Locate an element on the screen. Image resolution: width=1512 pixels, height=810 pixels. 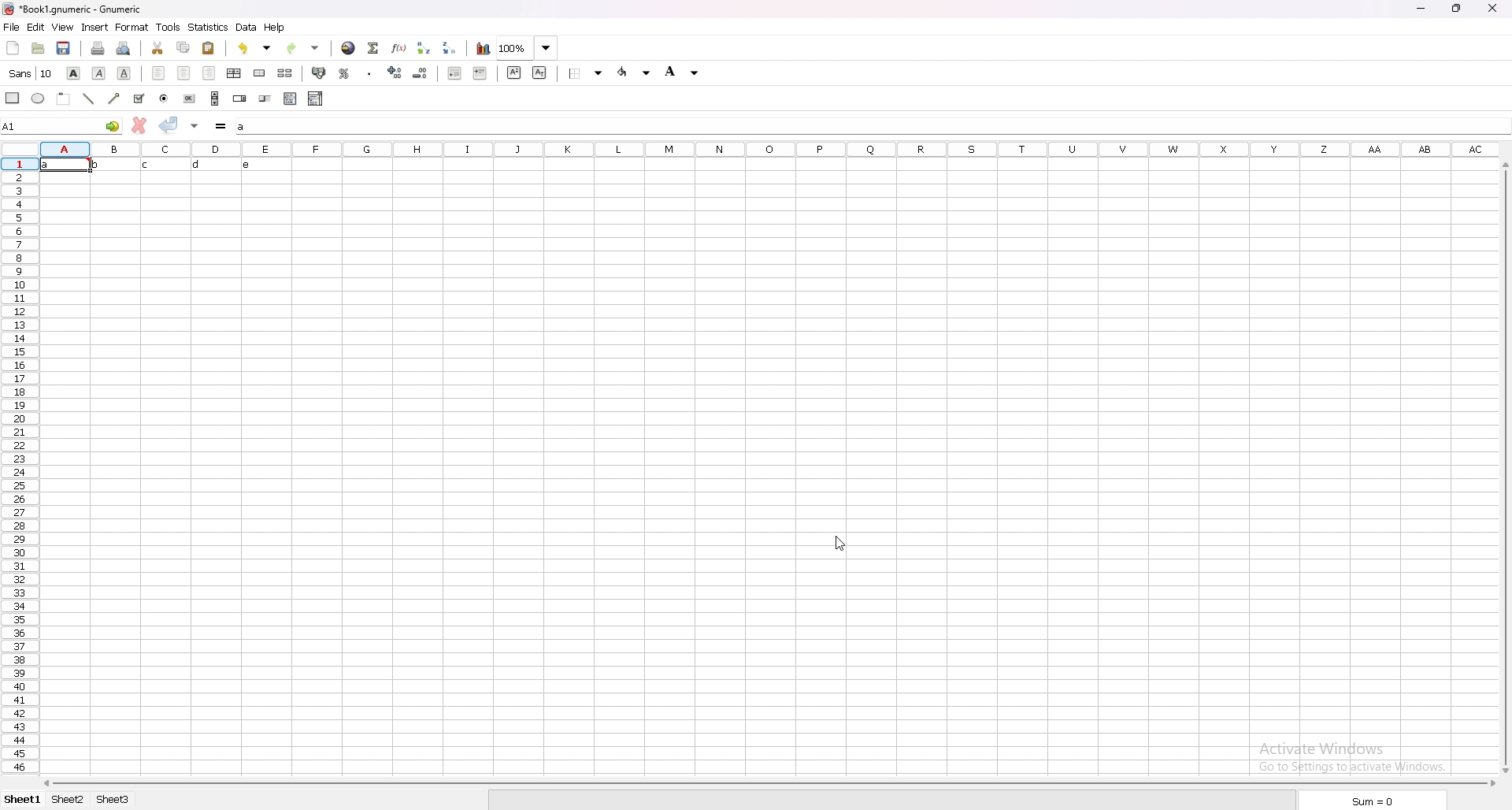
help is located at coordinates (276, 28).